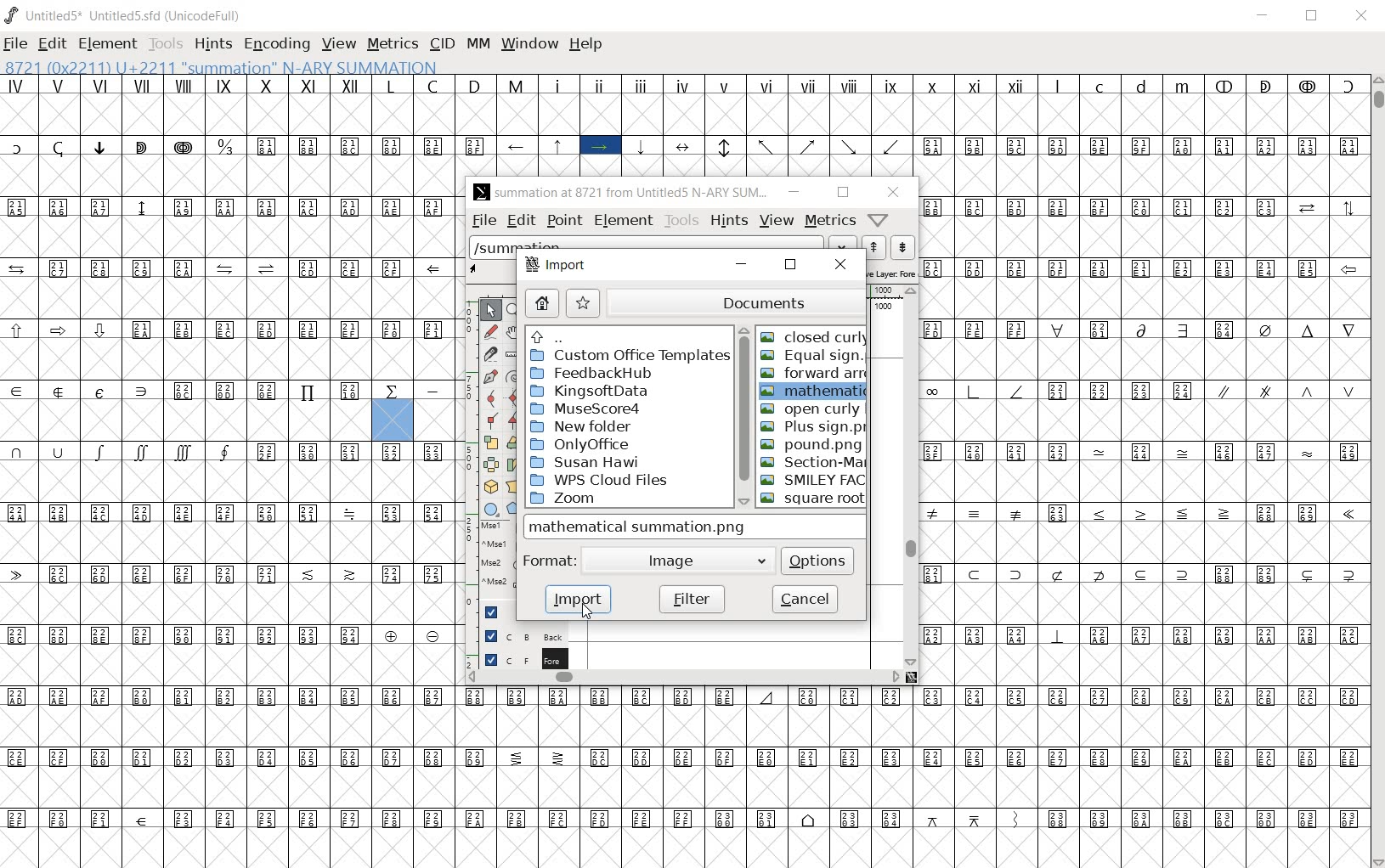  I want to click on ELEMENT, so click(109, 43).